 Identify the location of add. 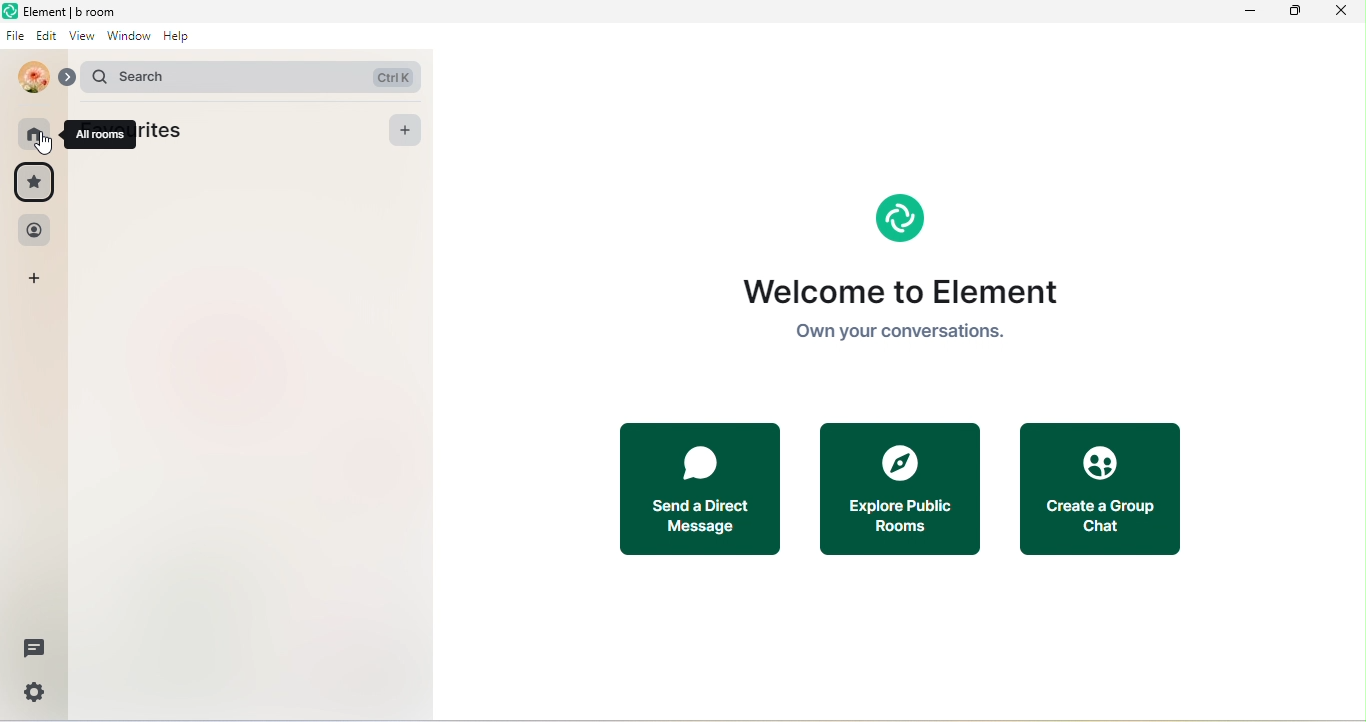
(37, 280).